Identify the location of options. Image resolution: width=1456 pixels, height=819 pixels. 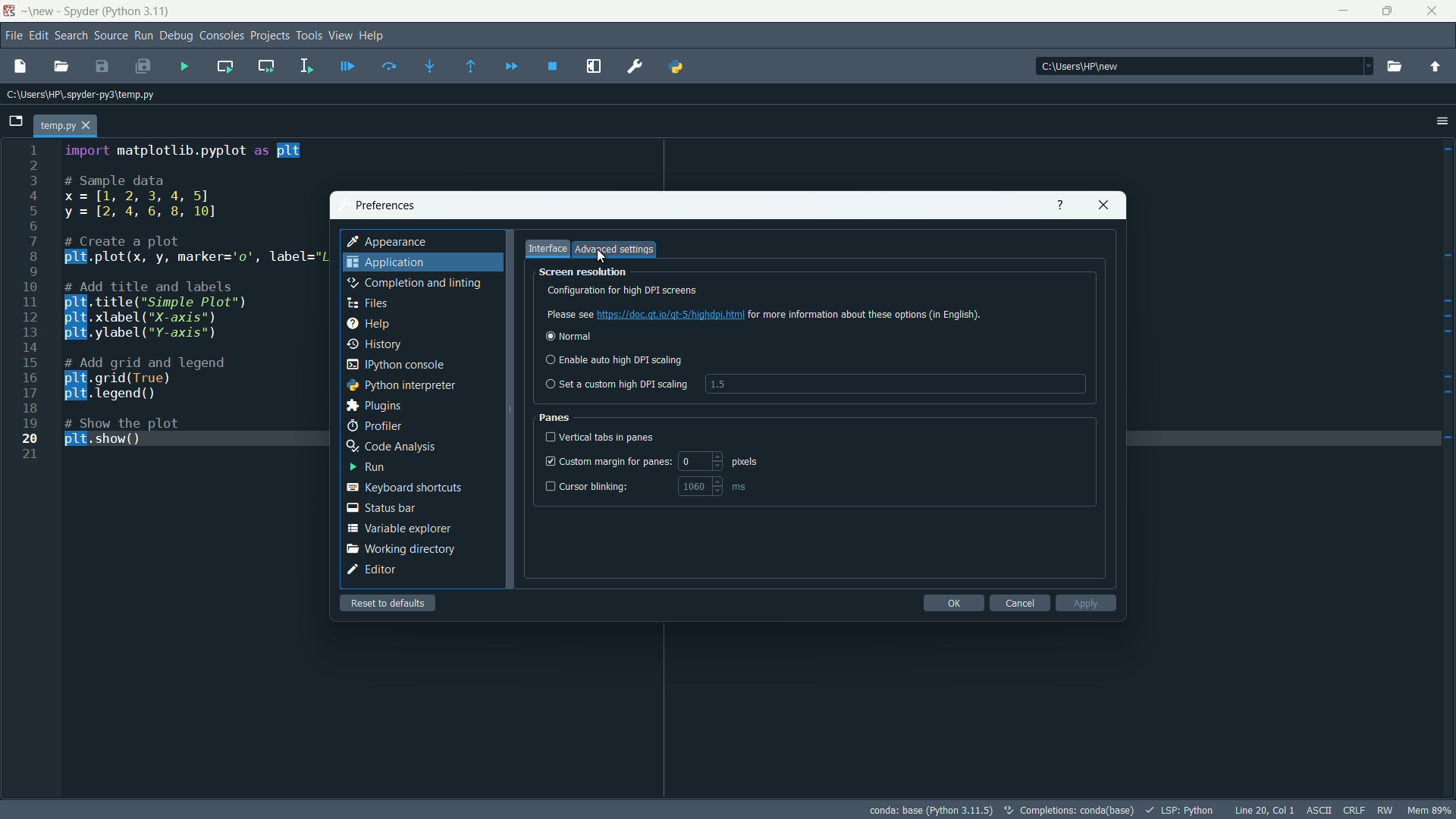
(1441, 120).